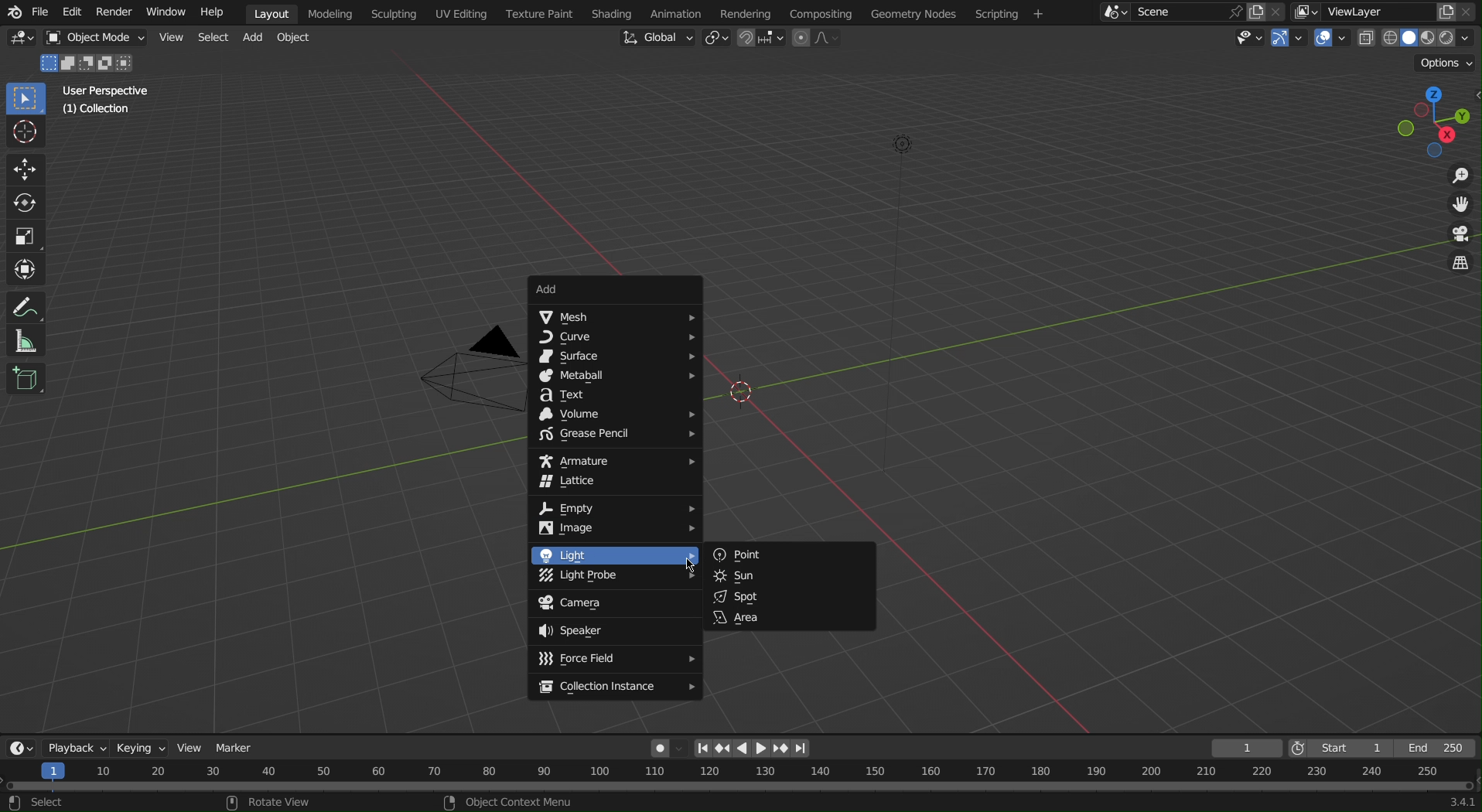 The height and width of the screenshot is (812, 1482). What do you see at coordinates (615, 508) in the screenshot?
I see `Empty` at bounding box center [615, 508].